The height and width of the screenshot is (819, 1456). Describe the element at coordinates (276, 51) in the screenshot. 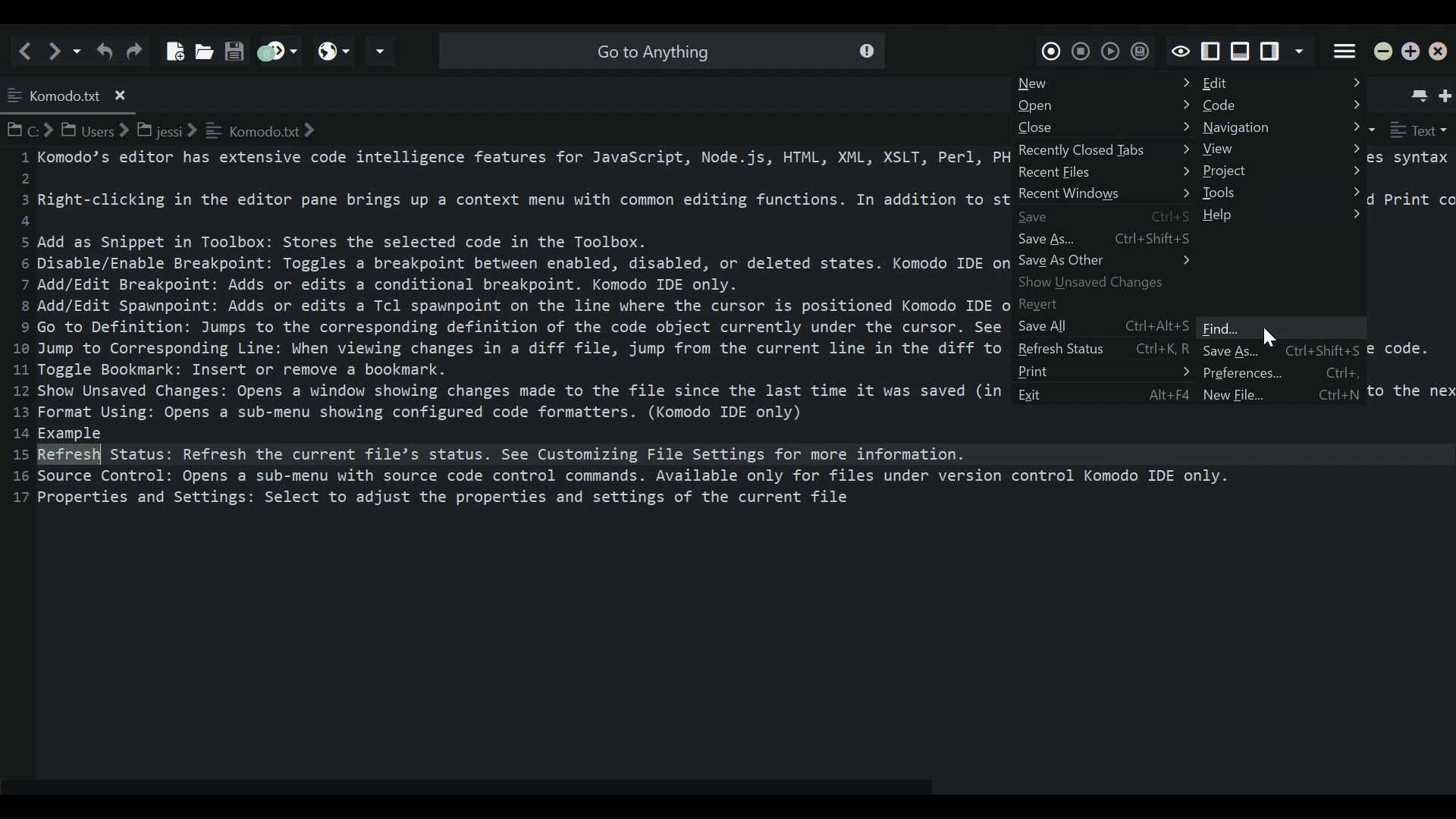

I see `Jump to next syntax checking result` at that location.